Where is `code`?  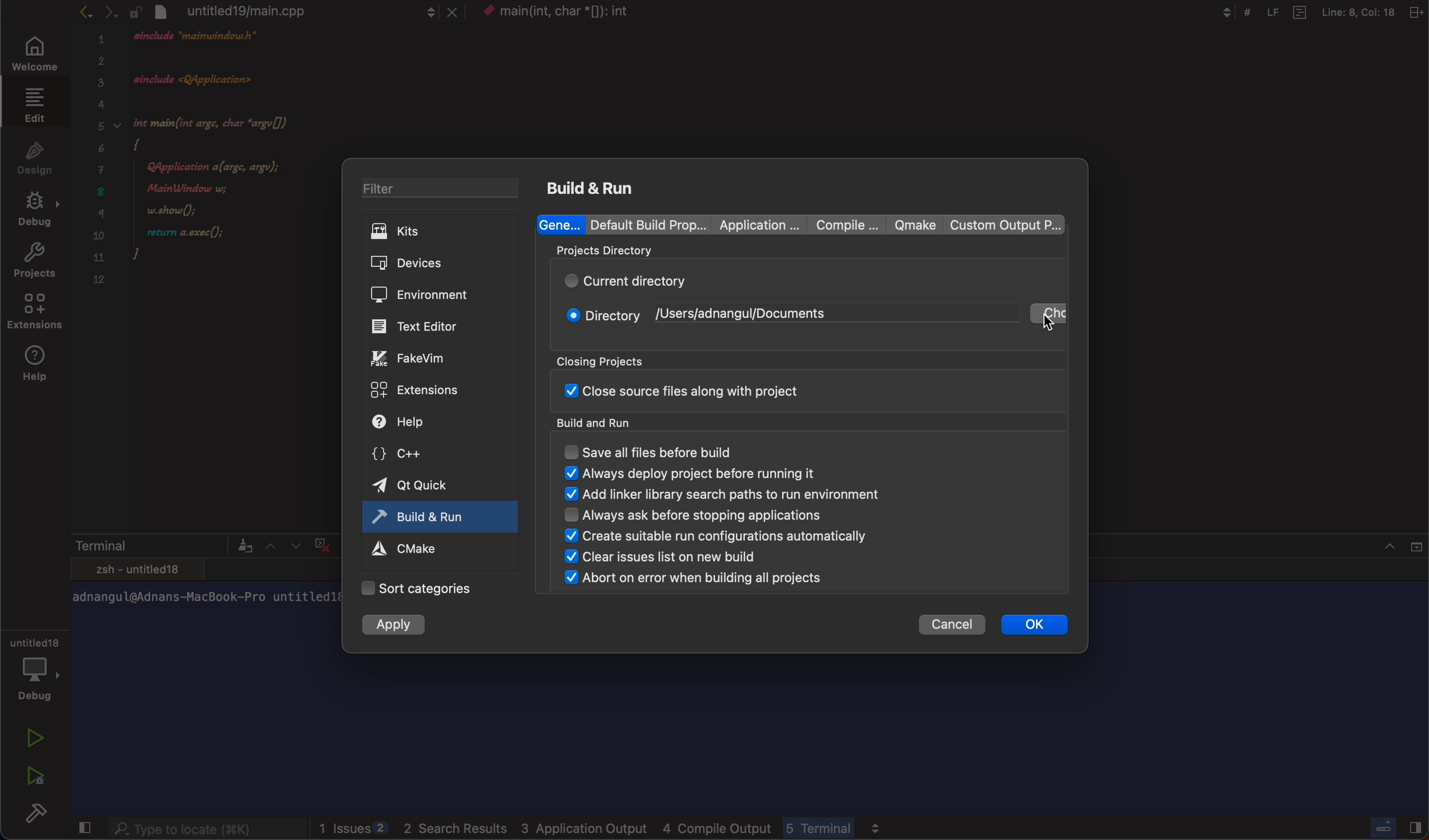 code is located at coordinates (206, 157).